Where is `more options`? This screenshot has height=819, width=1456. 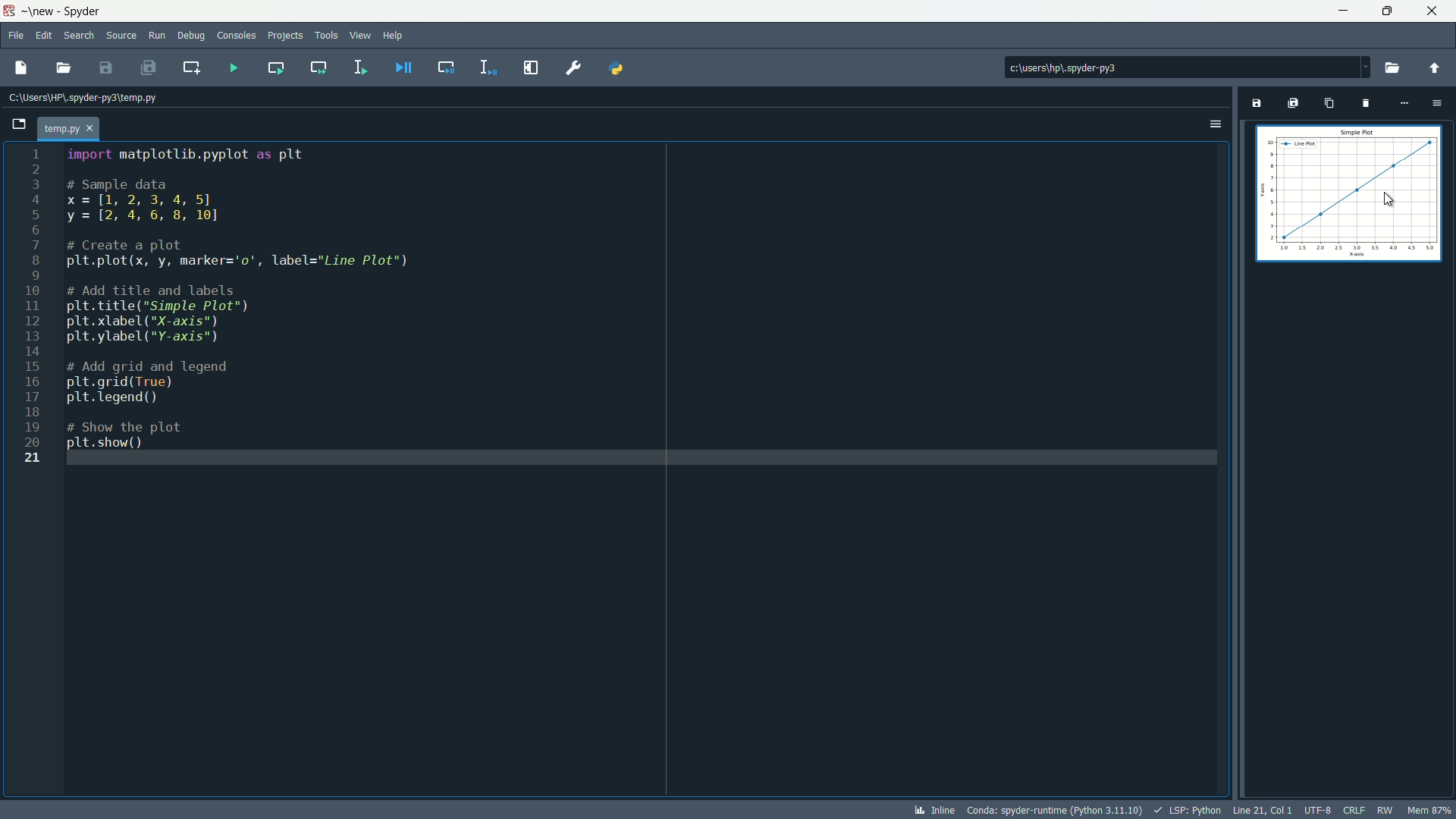 more options is located at coordinates (1405, 102).